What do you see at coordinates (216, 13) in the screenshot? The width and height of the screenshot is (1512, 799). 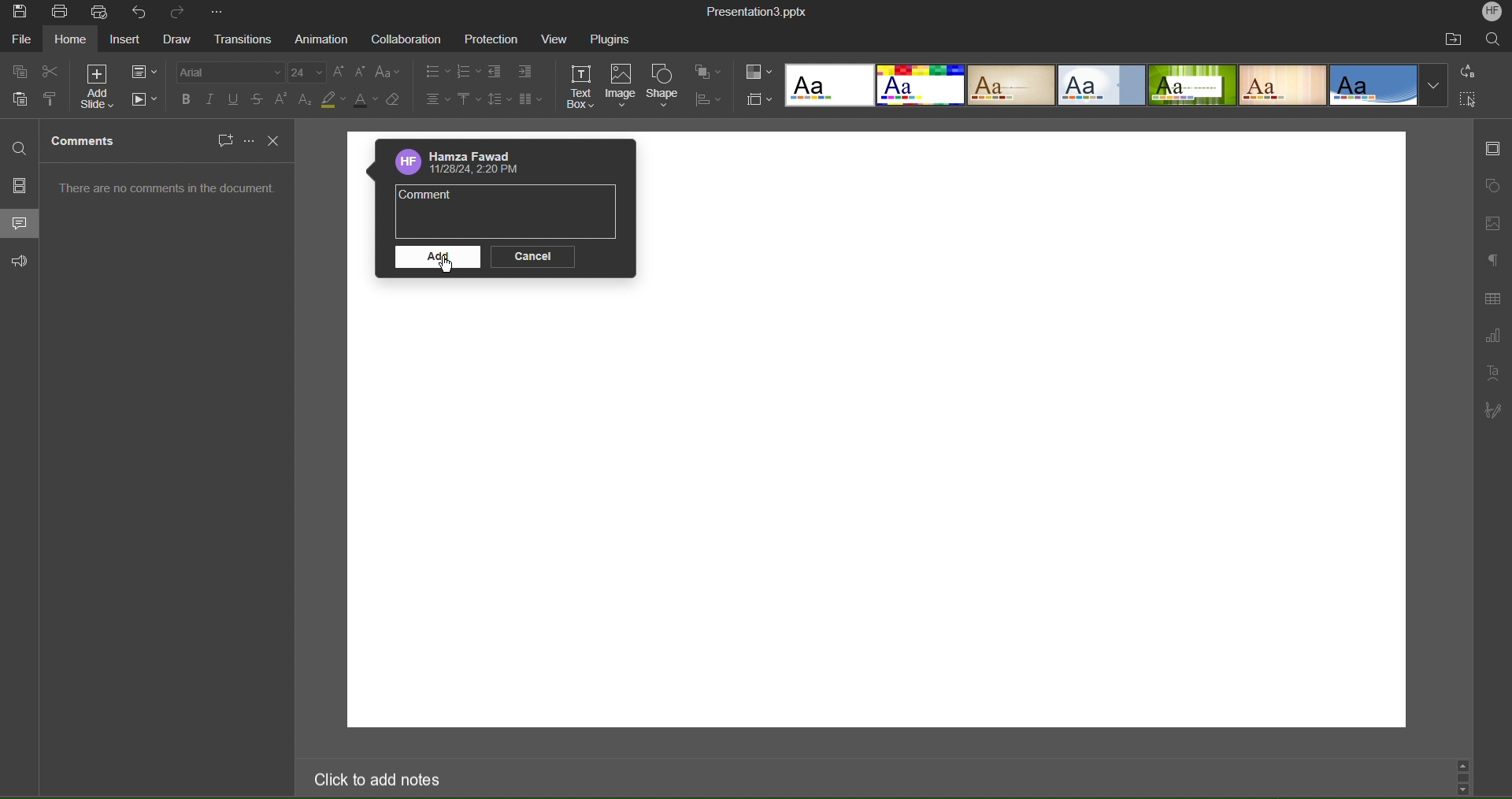 I see `More` at bounding box center [216, 13].